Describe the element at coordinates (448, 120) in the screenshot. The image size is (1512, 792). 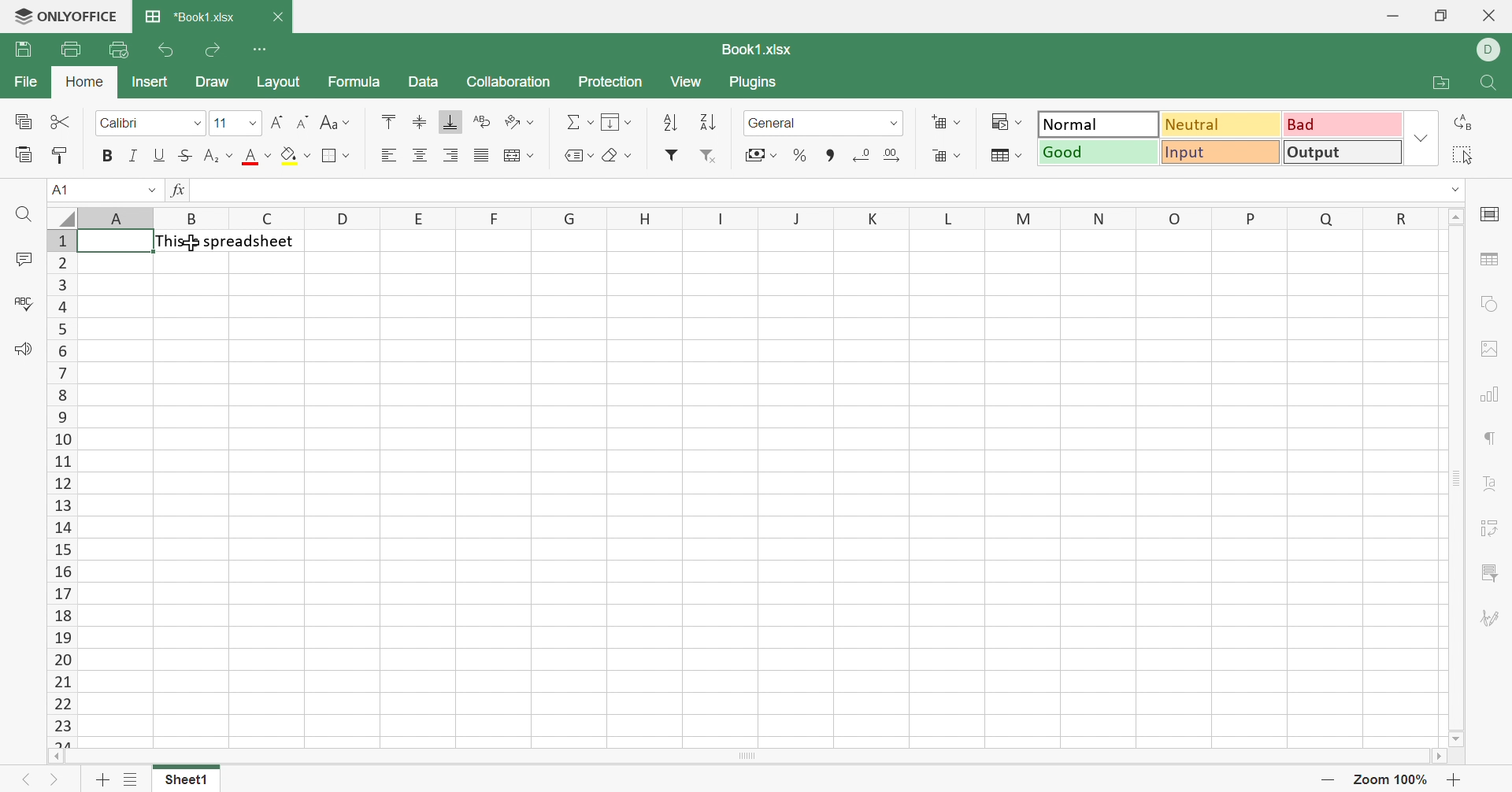
I see `Align Bottom` at that location.